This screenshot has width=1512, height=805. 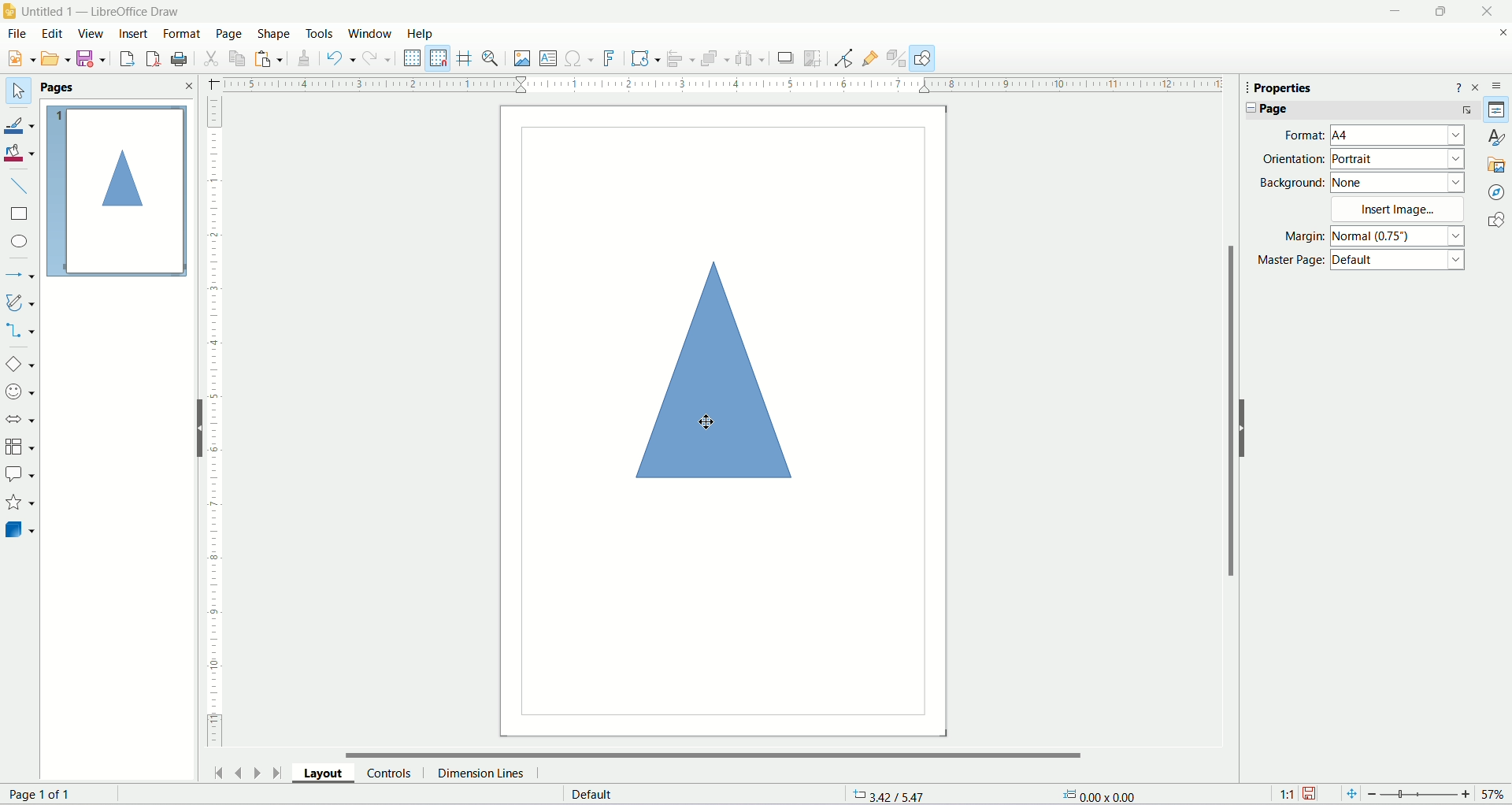 I want to click on Move to last page, so click(x=277, y=773).